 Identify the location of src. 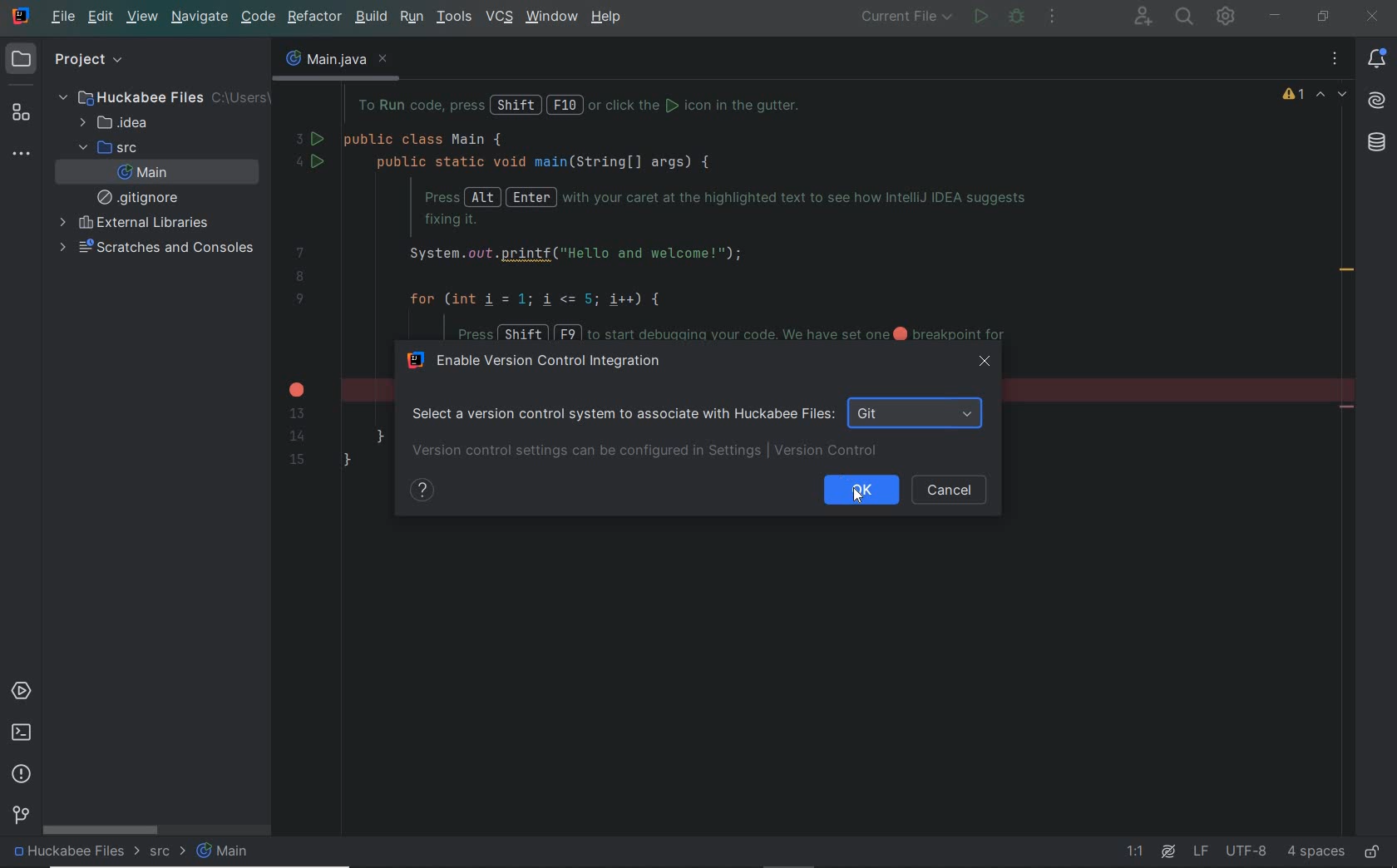
(106, 147).